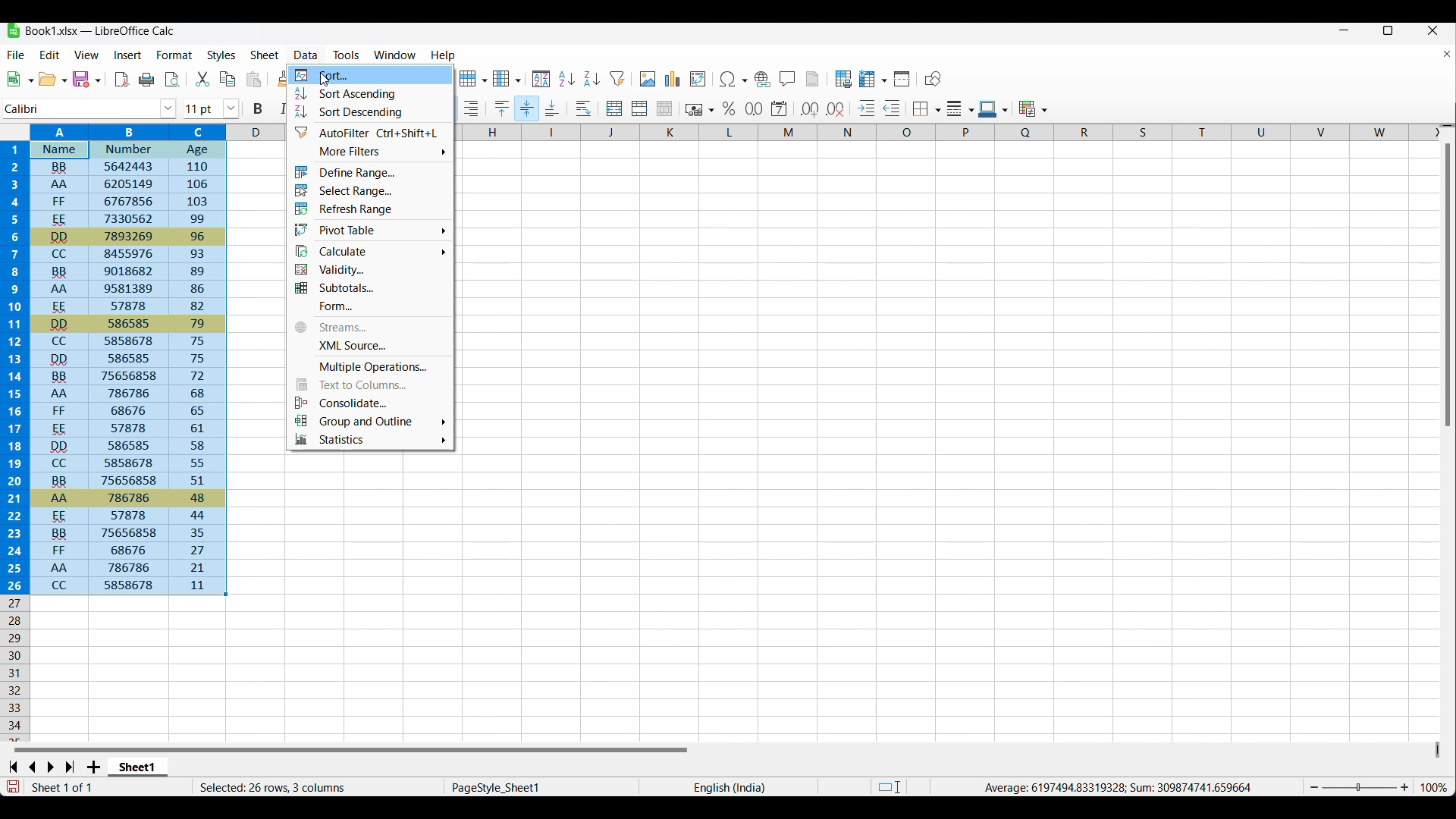 This screenshot has width=1456, height=819. What do you see at coordinates (527, 108) in the screenshot?
I see `Align center` at bounding box center [527, 108].